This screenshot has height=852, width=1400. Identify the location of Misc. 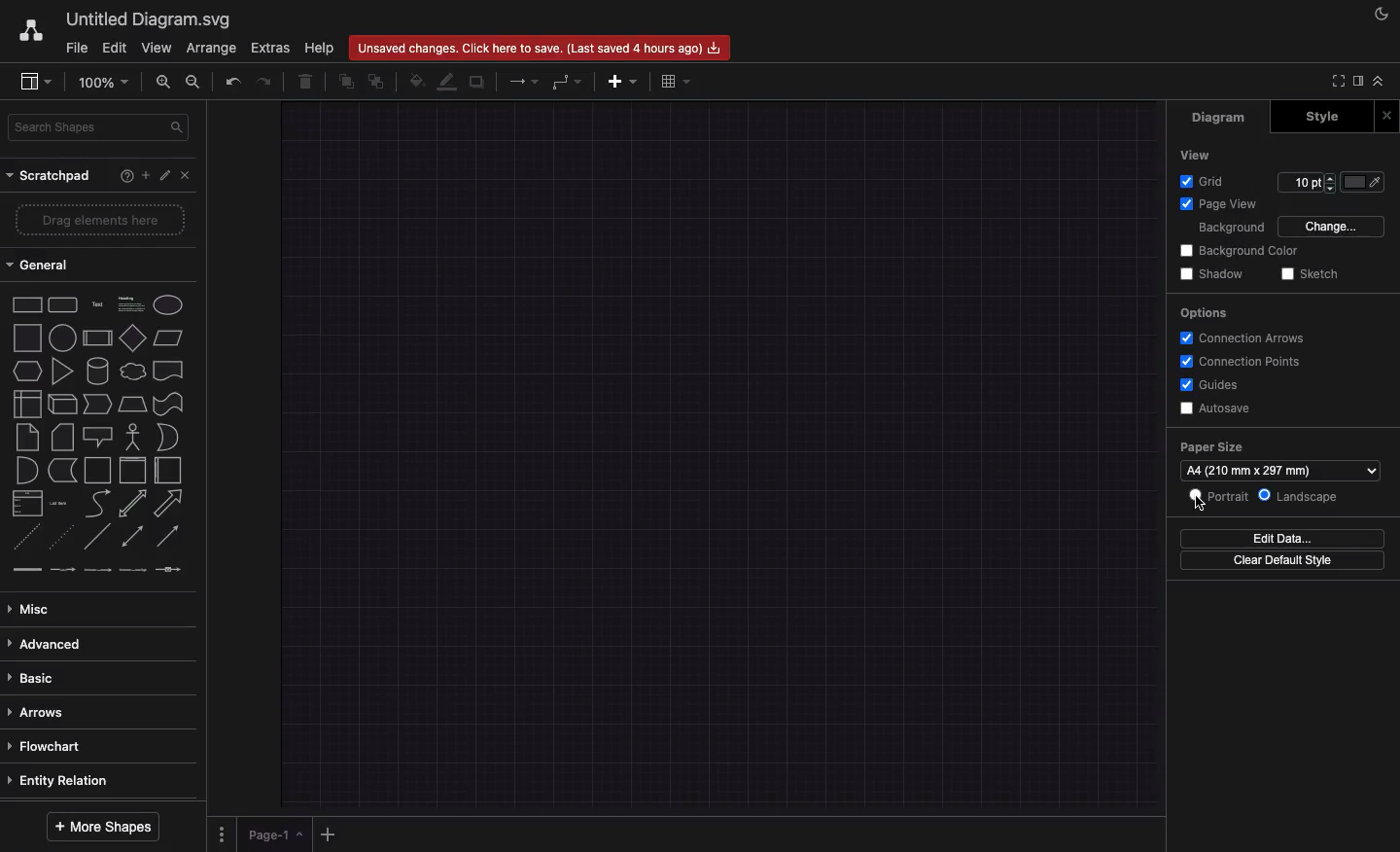
(34, 607).